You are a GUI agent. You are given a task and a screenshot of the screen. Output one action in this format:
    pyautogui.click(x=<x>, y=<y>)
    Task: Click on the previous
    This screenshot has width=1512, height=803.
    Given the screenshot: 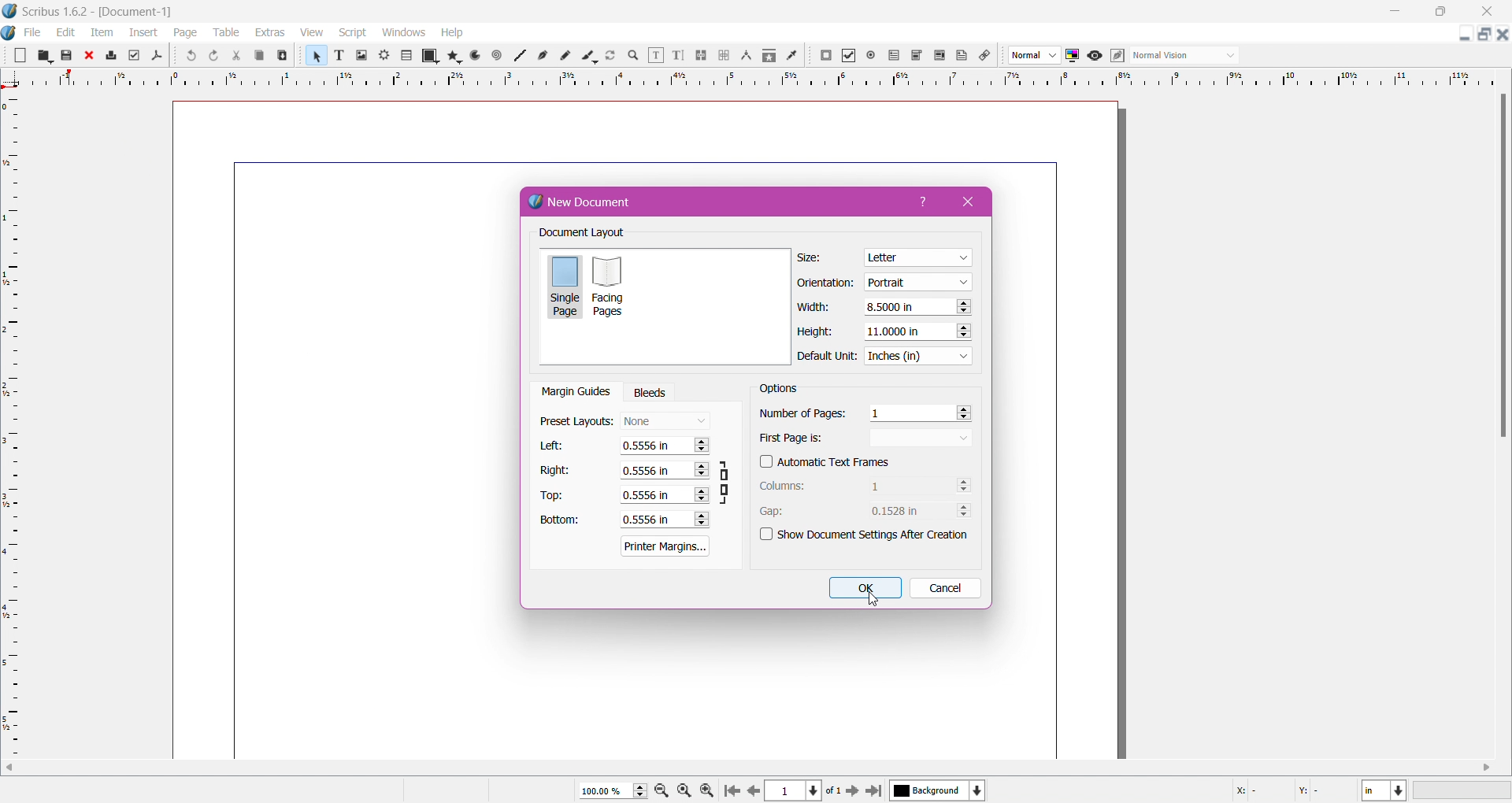 What is the action you would take?
    pyautogui.click(x=754, y=793)
    